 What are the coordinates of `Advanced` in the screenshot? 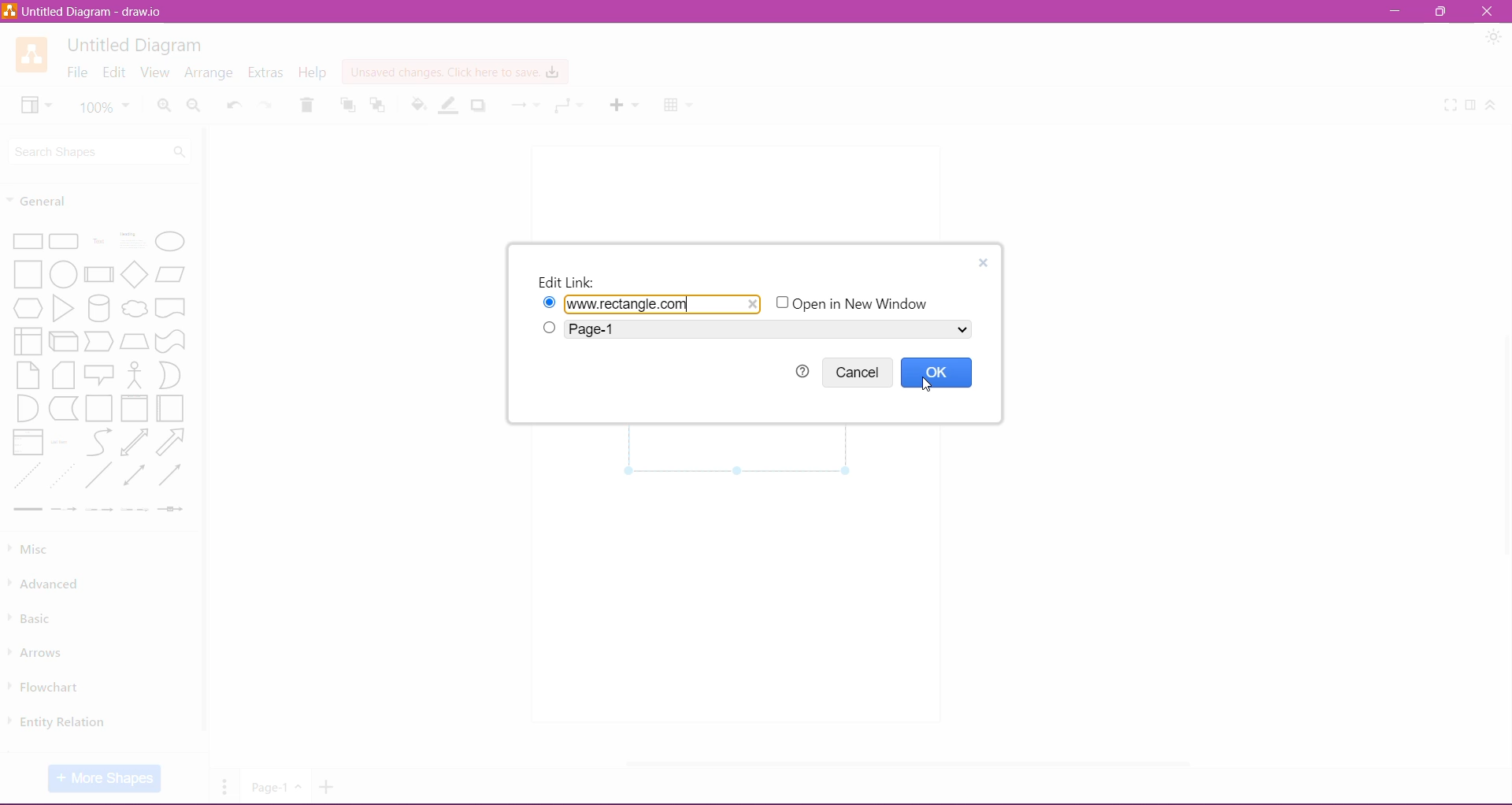 It's located at (48, 584).